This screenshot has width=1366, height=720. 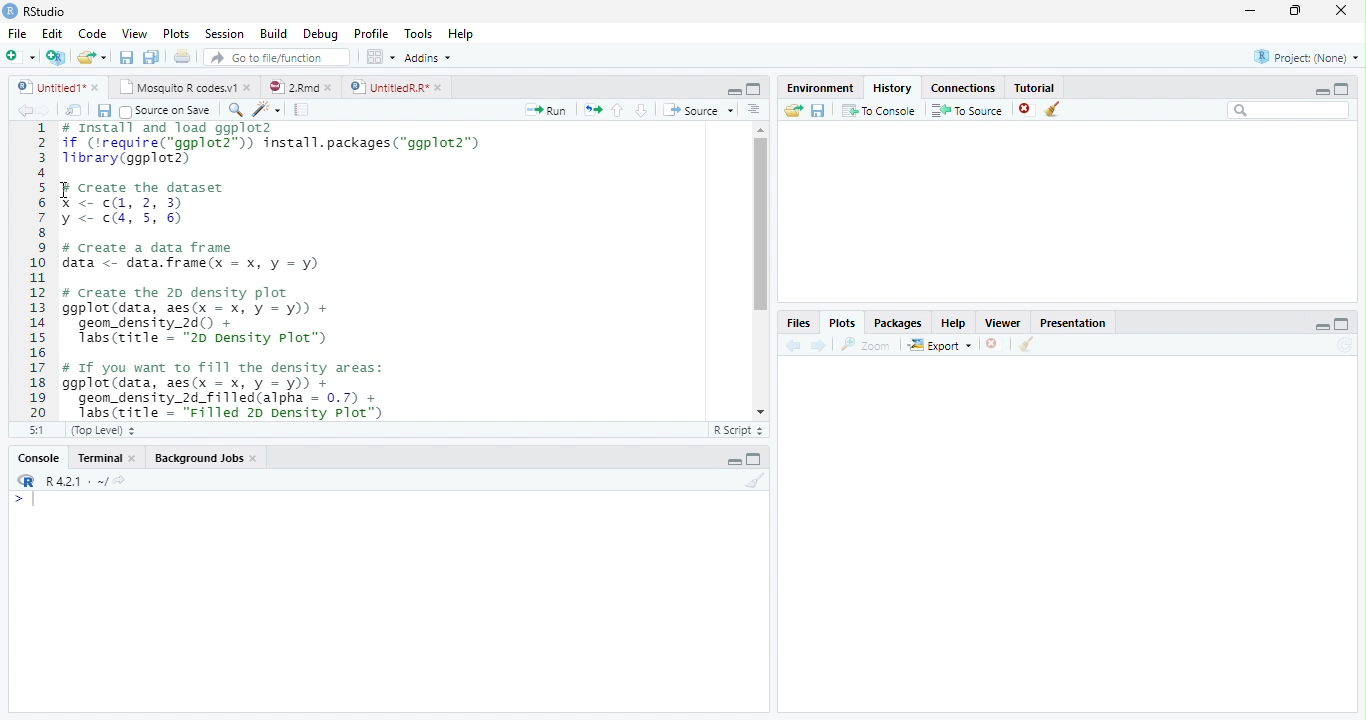 What do you see at coordinates (361, 269) in the screenshot?
I see `1 # Install and load ggplot2
2 if (irequire(“ggplot2”)) install.packages(“ggplot2”)
3 library(ggplot2)

4

5 J Create the dataset
6 x <c@, 2,3)

7 y<cG 5 8)

8

9 # create a data frame

10 data <- data.frame(x = x, y = y)

11
12 # create the 20 density plot
13 ggplot(data, aes(x = x, y = y)) +
14  geom_density_2d() +
15 labs(title - "20 Density Plot")

16
17 # If you want to fill the density areas:

18 ggplot(data, aes(x = x, y = y)) +
19 geom_density_2d_filled(alpha = 0.7) +
20  labs(title - “Filled 20 Density Plot™)` at bounding box center [361, 269].